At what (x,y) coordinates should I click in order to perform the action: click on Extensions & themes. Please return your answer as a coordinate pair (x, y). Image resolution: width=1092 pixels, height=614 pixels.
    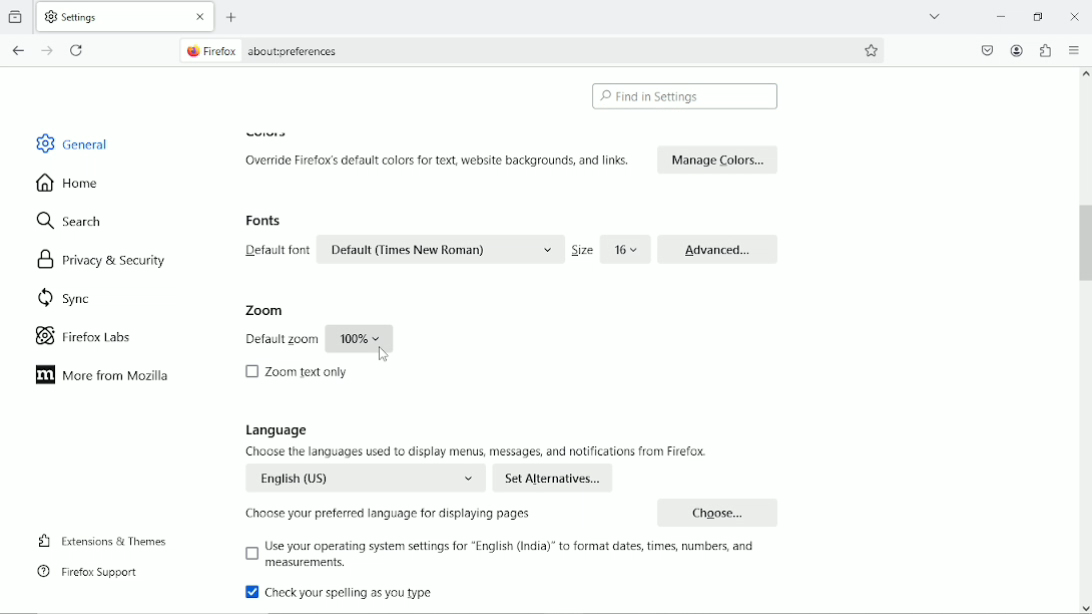
    Looking at the image, I should click on (102, 540).